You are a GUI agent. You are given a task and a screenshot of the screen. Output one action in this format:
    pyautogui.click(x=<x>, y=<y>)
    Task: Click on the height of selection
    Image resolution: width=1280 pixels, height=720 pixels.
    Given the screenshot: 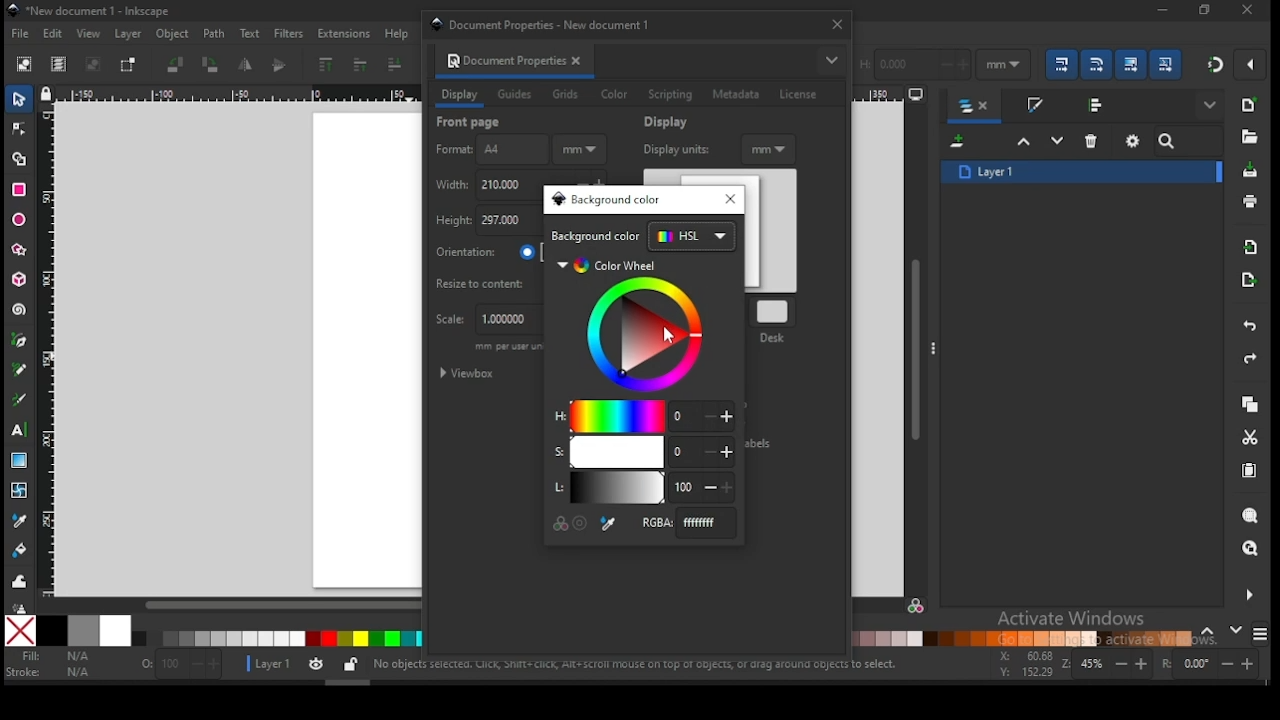 What is the action you would take?
    pyautogui.click(x=913, y=62)
    